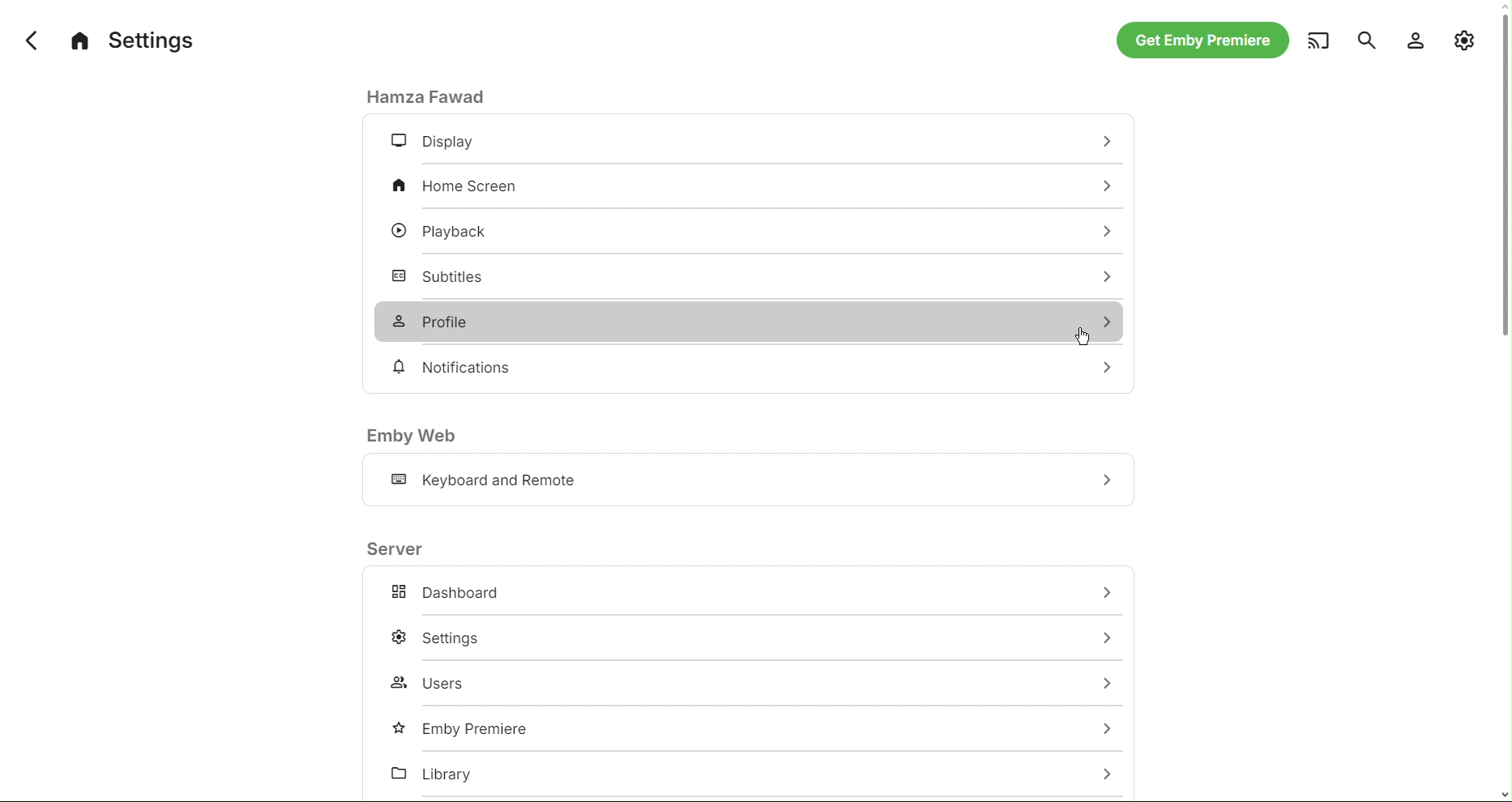  What do you see at coordinates (1111, 680) in the screenshot?
I see `go` at bounding box center [1111, 680].